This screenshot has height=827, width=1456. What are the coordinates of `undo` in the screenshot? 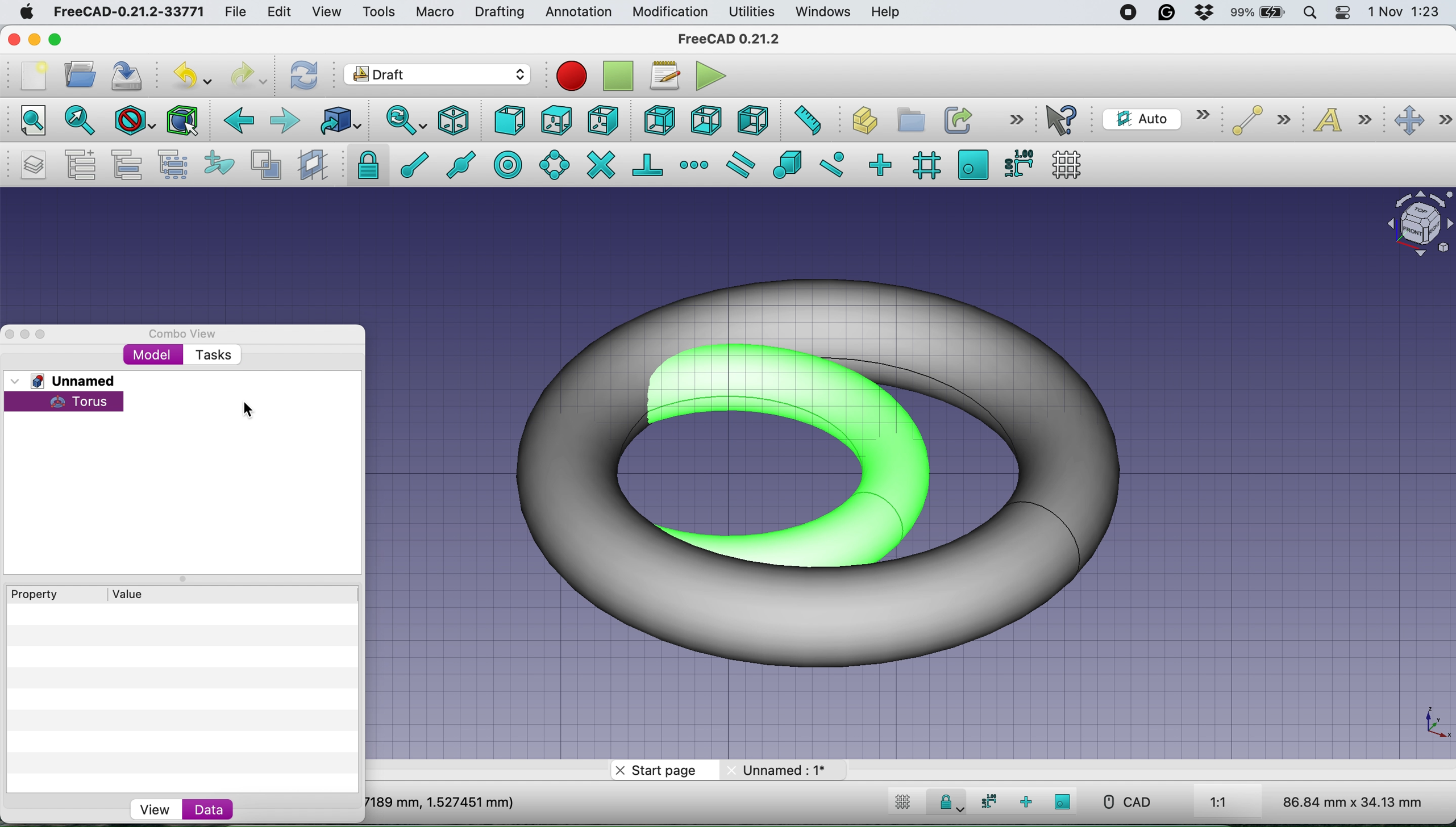 It's located at (192, 73).